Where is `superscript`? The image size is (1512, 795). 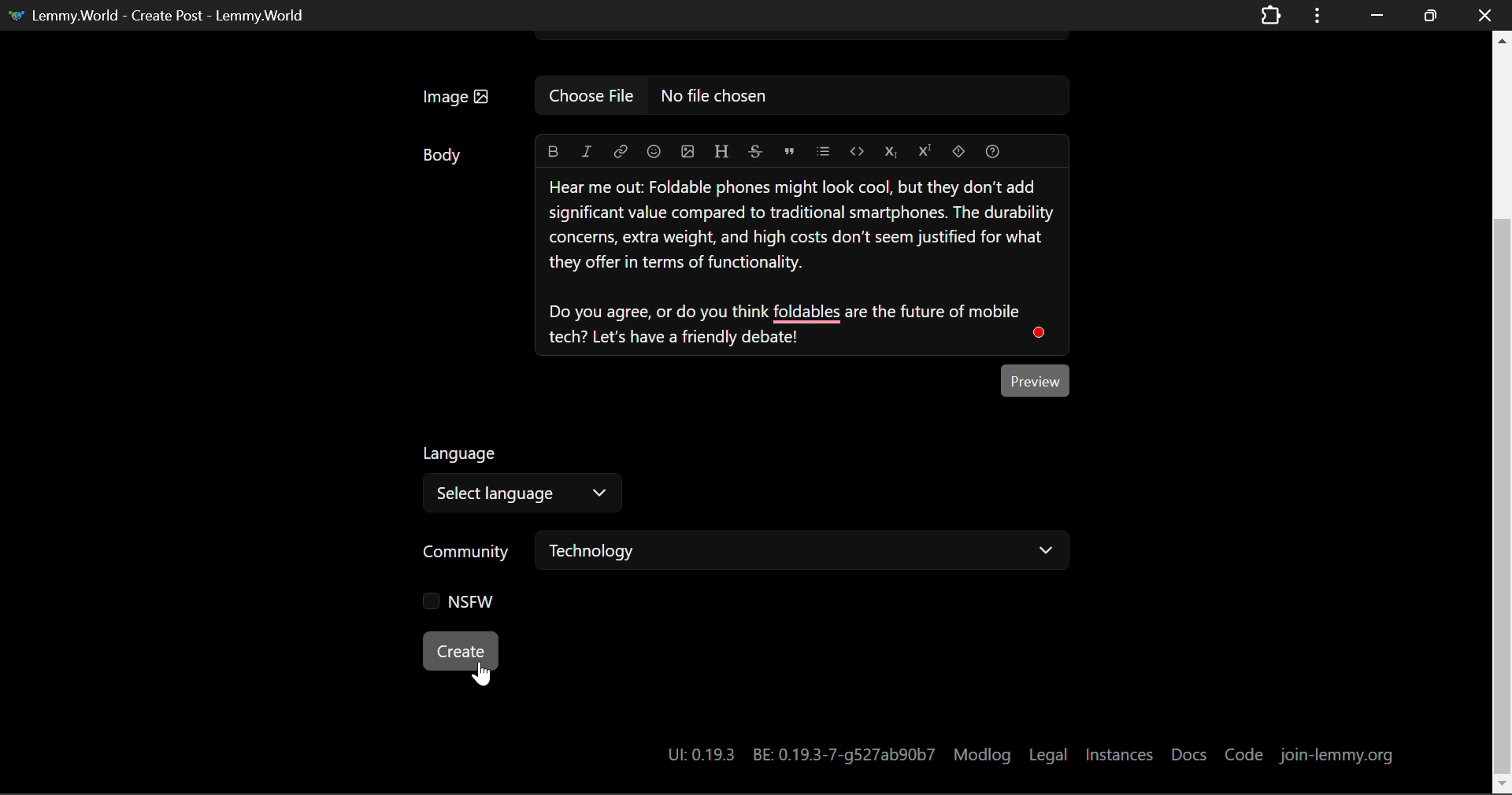 superscript is located at coordinates (926, 152).